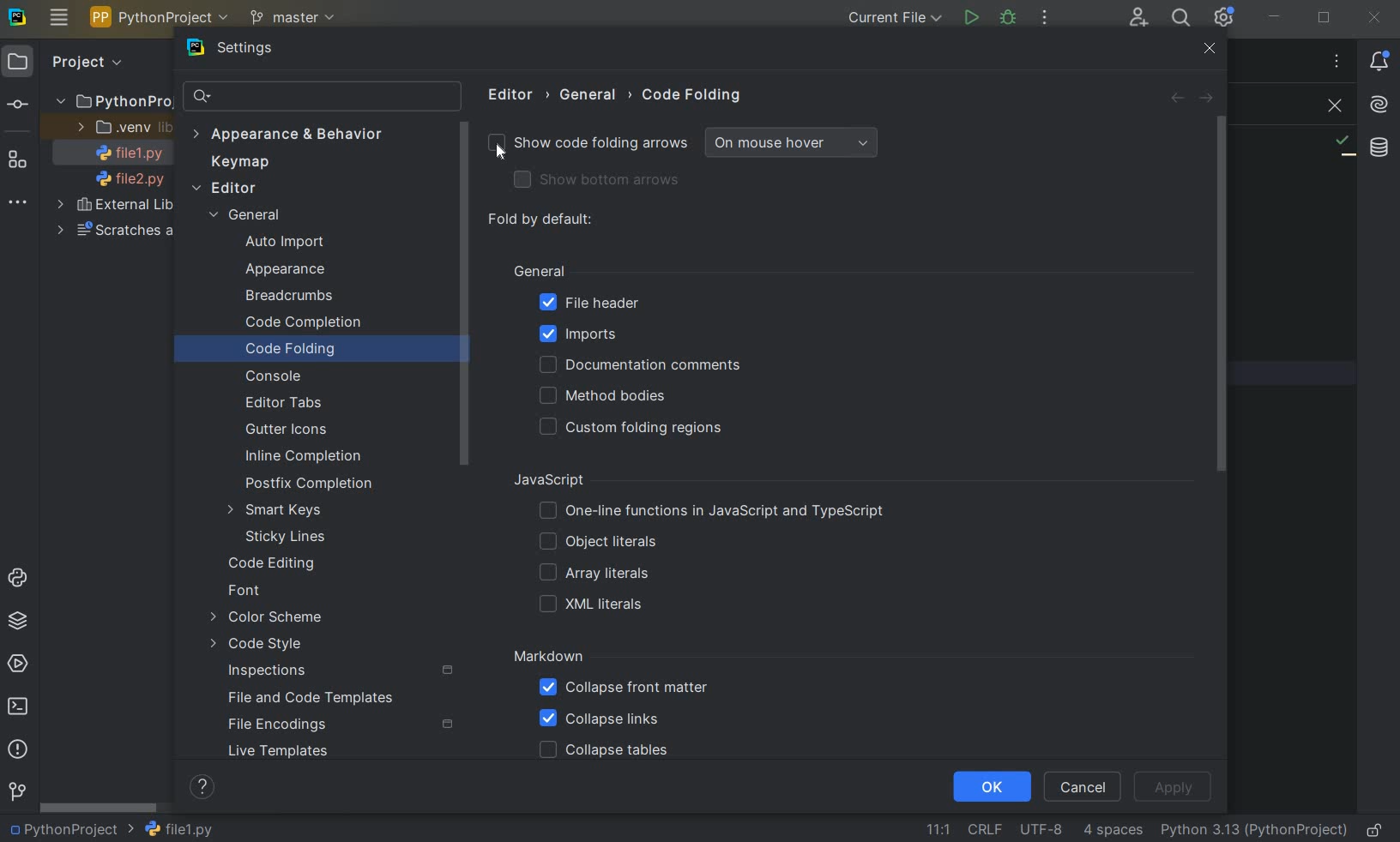 This screenshot has width=1400, height=842. What do you see at coordinates (793, 144) in the screenshot?
I see `ON MOUSE HOVER` at bounding box center [793, 144].